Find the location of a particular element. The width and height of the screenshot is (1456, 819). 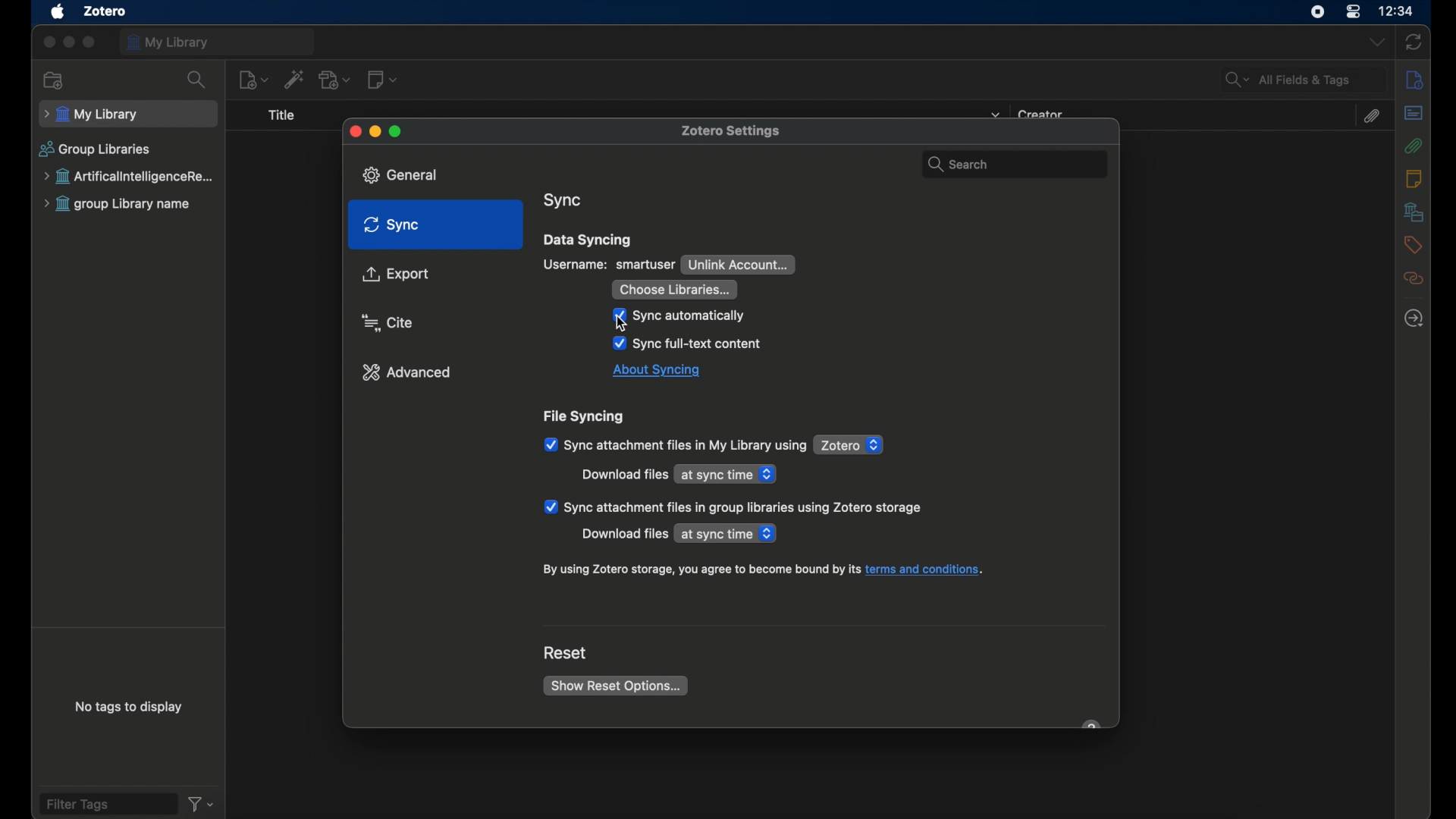

group library is located at coordinates (131, 177).